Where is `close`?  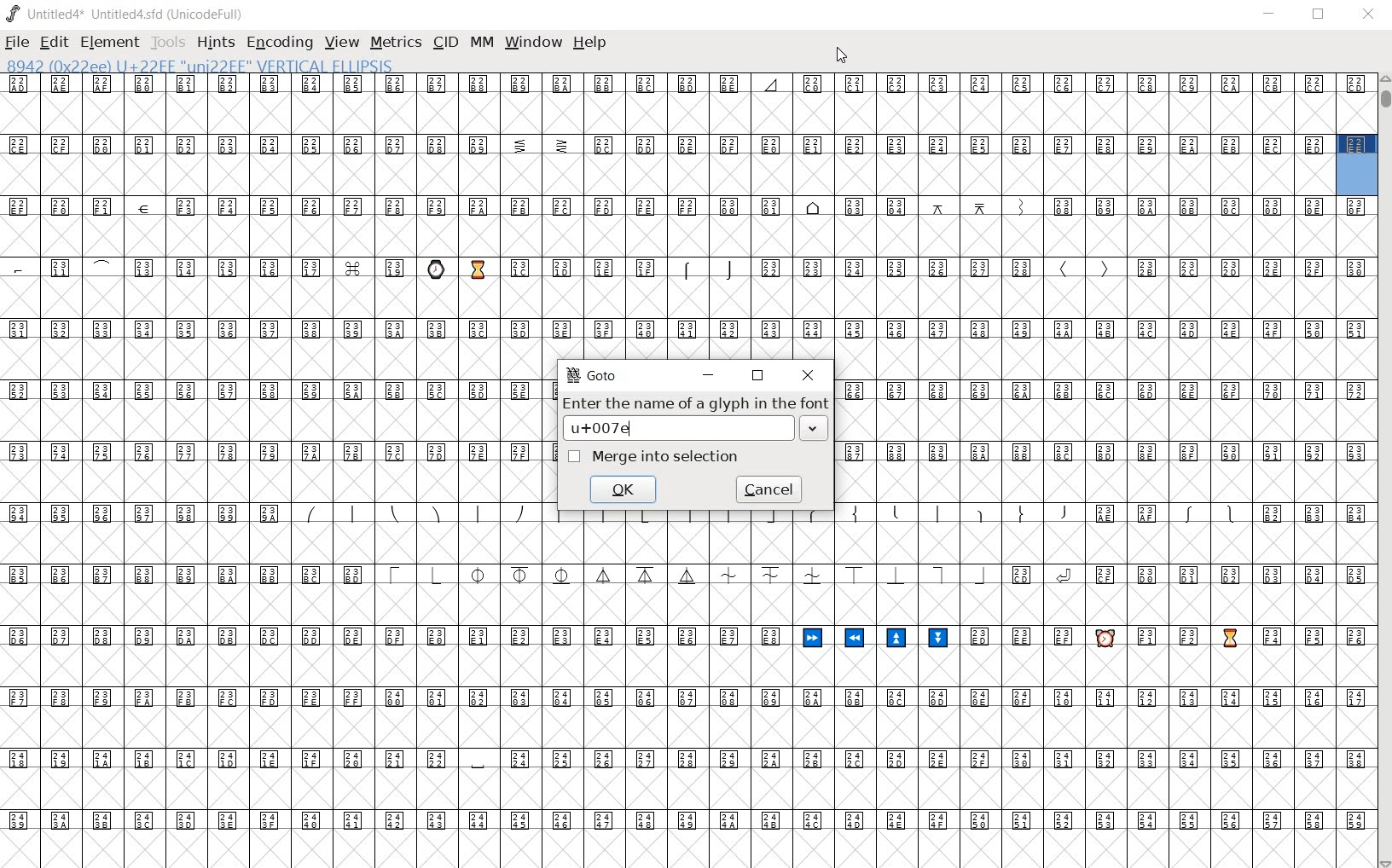
close is located at coordinates (806, 374).